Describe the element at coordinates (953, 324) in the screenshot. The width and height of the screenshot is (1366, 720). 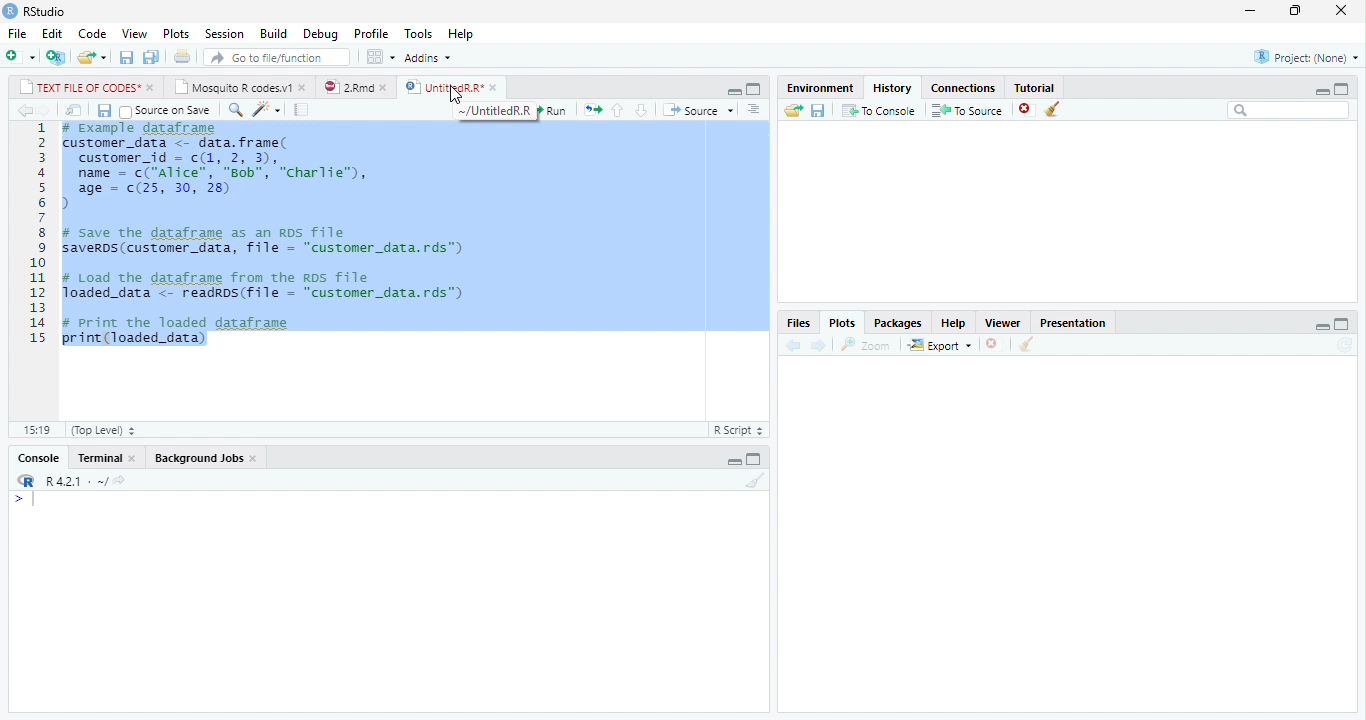
I see `Help` at that location.